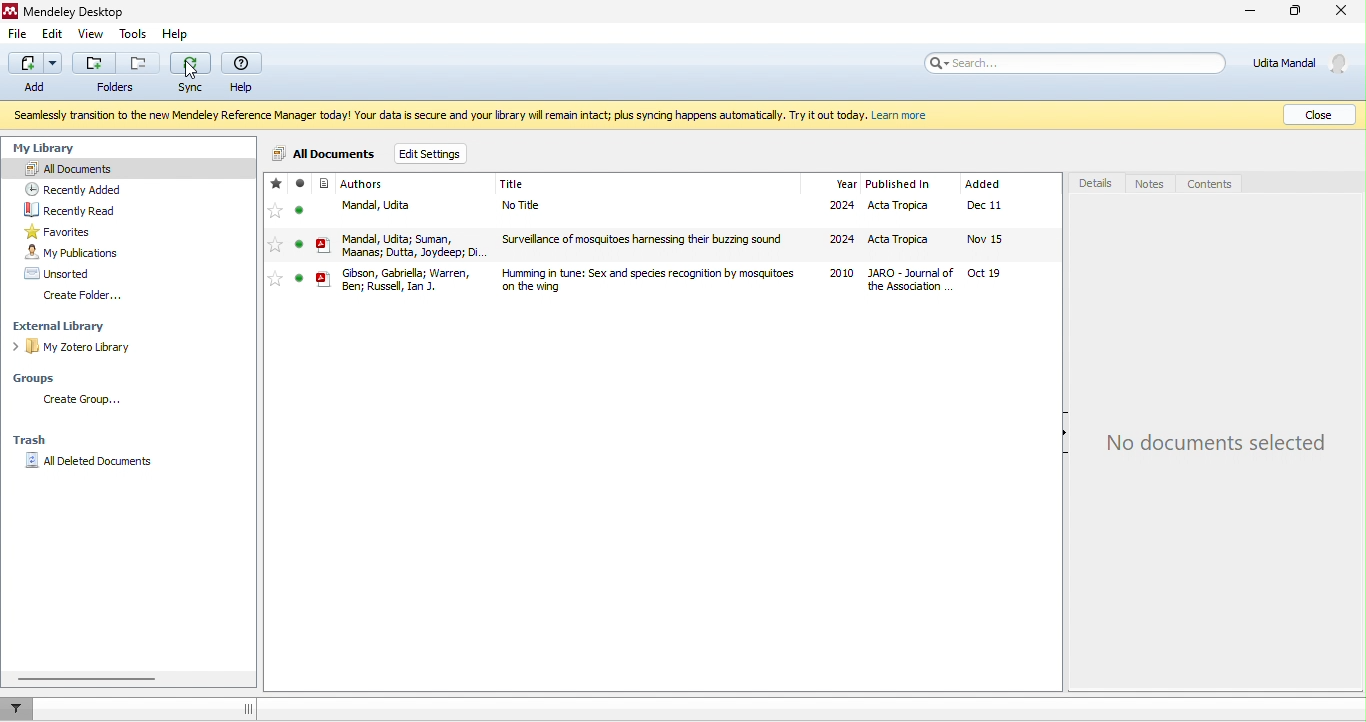 This screenshot has height=722, width=1366. Describe the element at coordinates (89, 679) in the screenshot. I see `horizontal scroll bar` at that location.